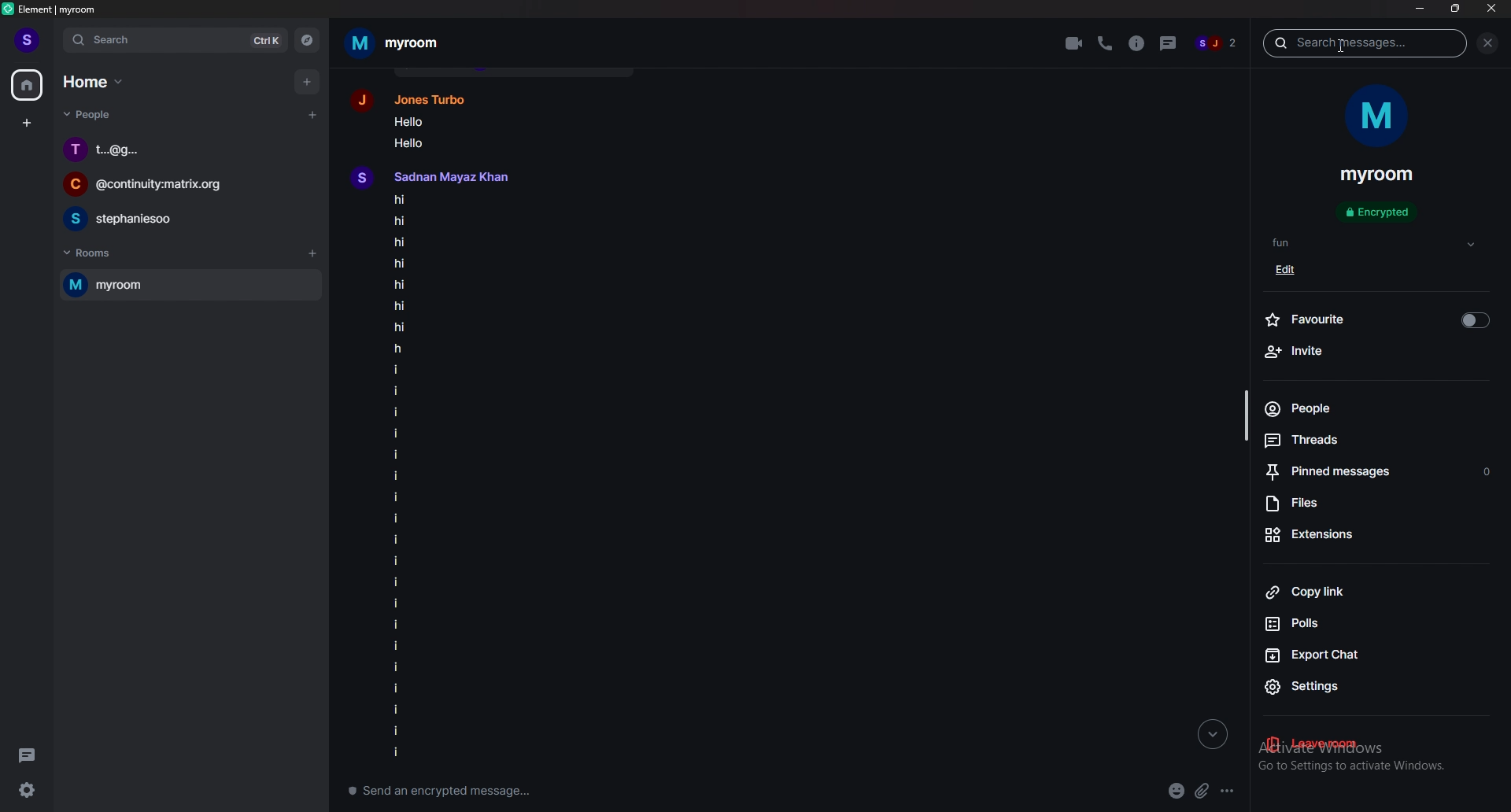  Describe the element at coordinates (1228, 790) in the screenshot. I see `more options` at that location.